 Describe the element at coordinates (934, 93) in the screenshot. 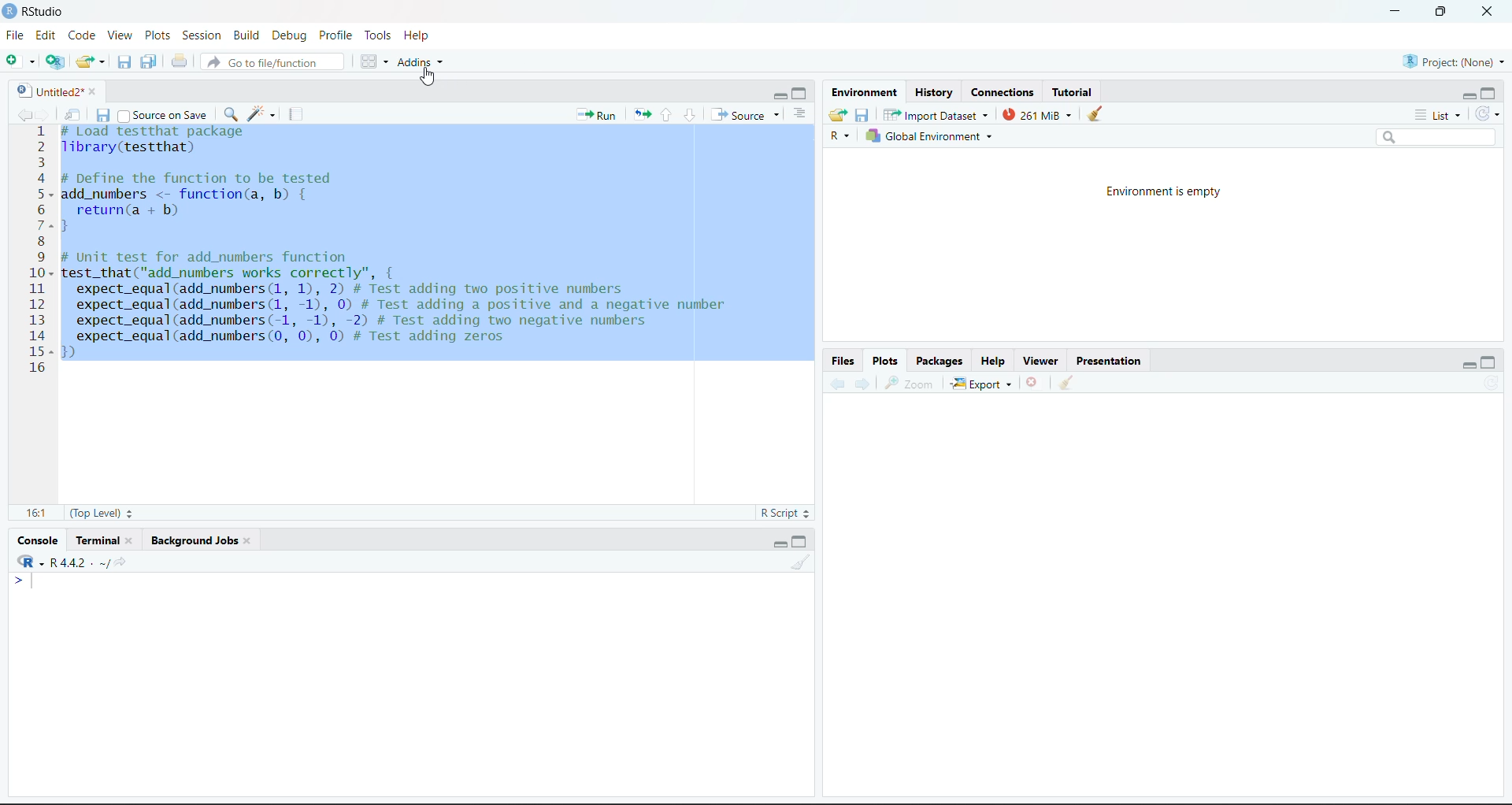

I see `History` at that location.